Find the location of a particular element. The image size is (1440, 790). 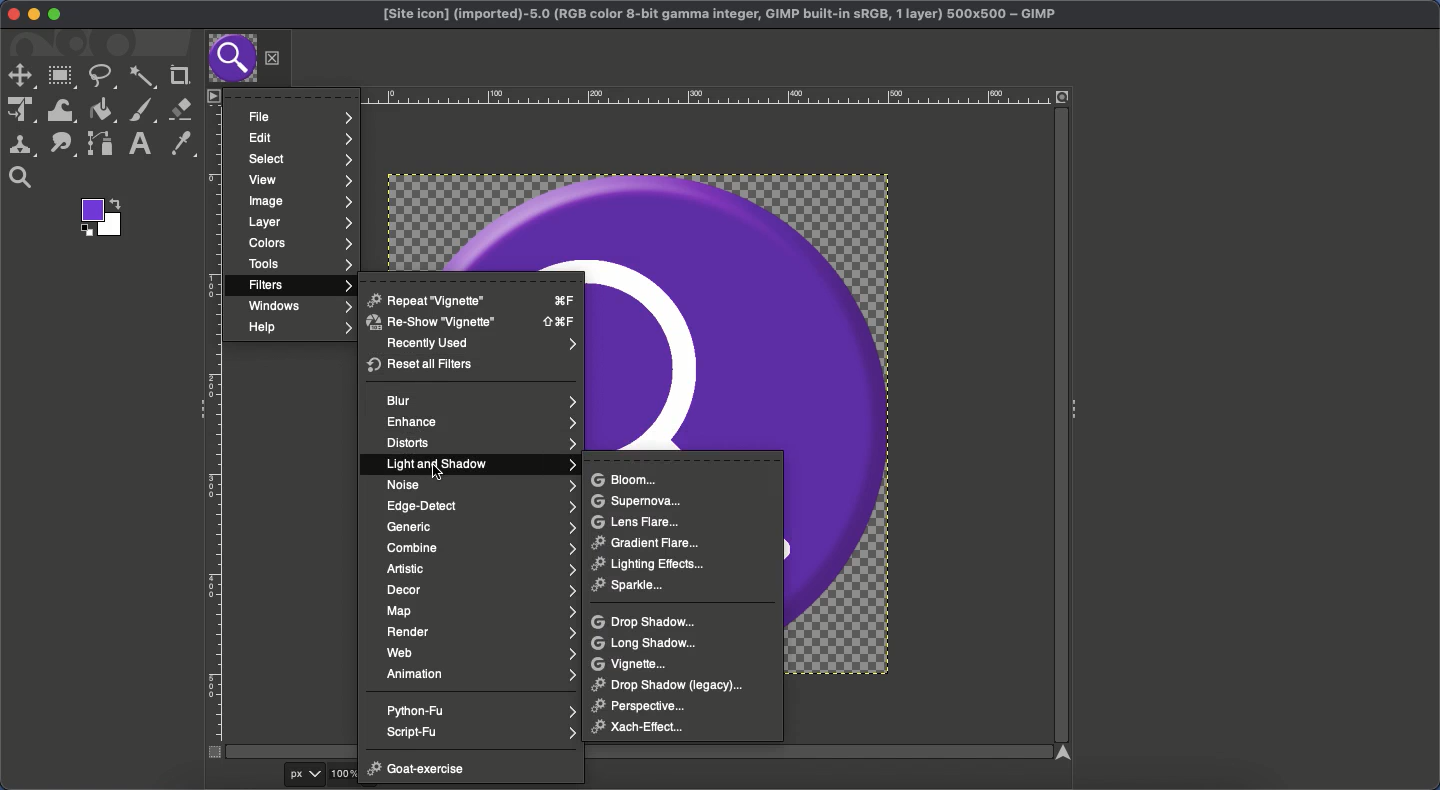

Help is located at coordinates (298, 329).